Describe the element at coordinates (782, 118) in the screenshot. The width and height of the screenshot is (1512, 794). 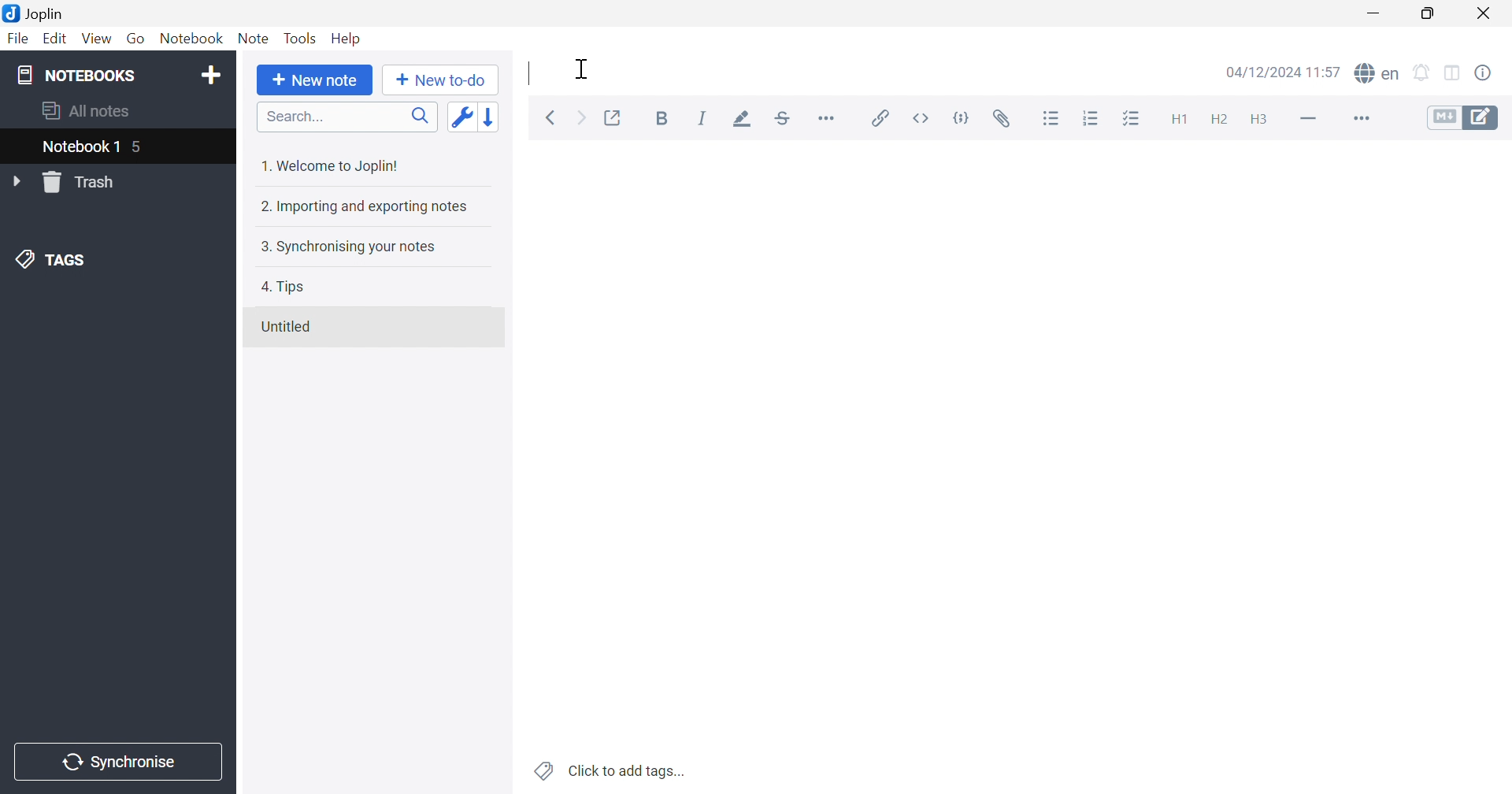
I see `Strikethrough` at that location.